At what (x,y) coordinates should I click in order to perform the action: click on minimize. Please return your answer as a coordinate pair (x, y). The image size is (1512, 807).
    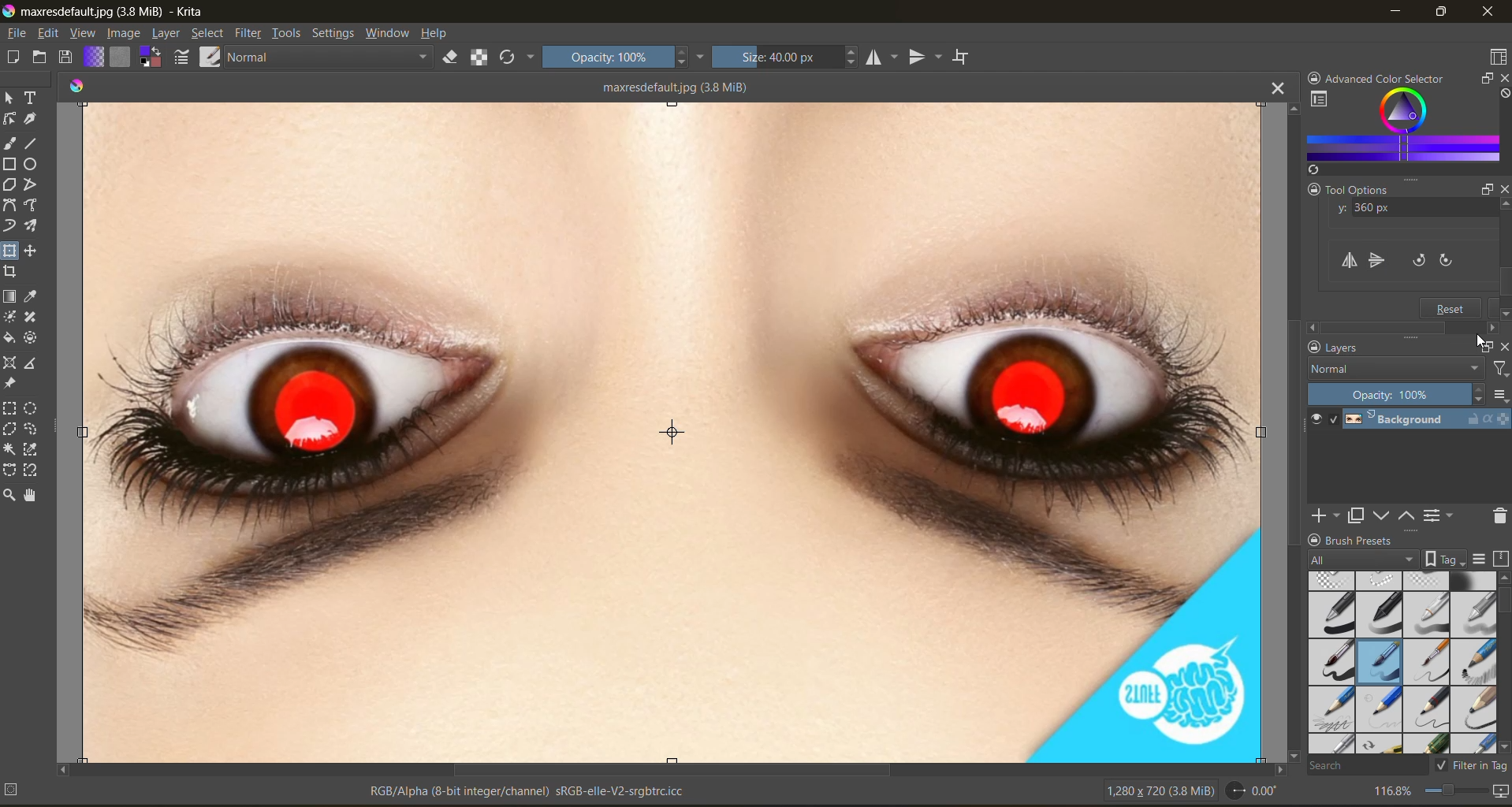
    Looking at the image, I should click on (1391, 14).